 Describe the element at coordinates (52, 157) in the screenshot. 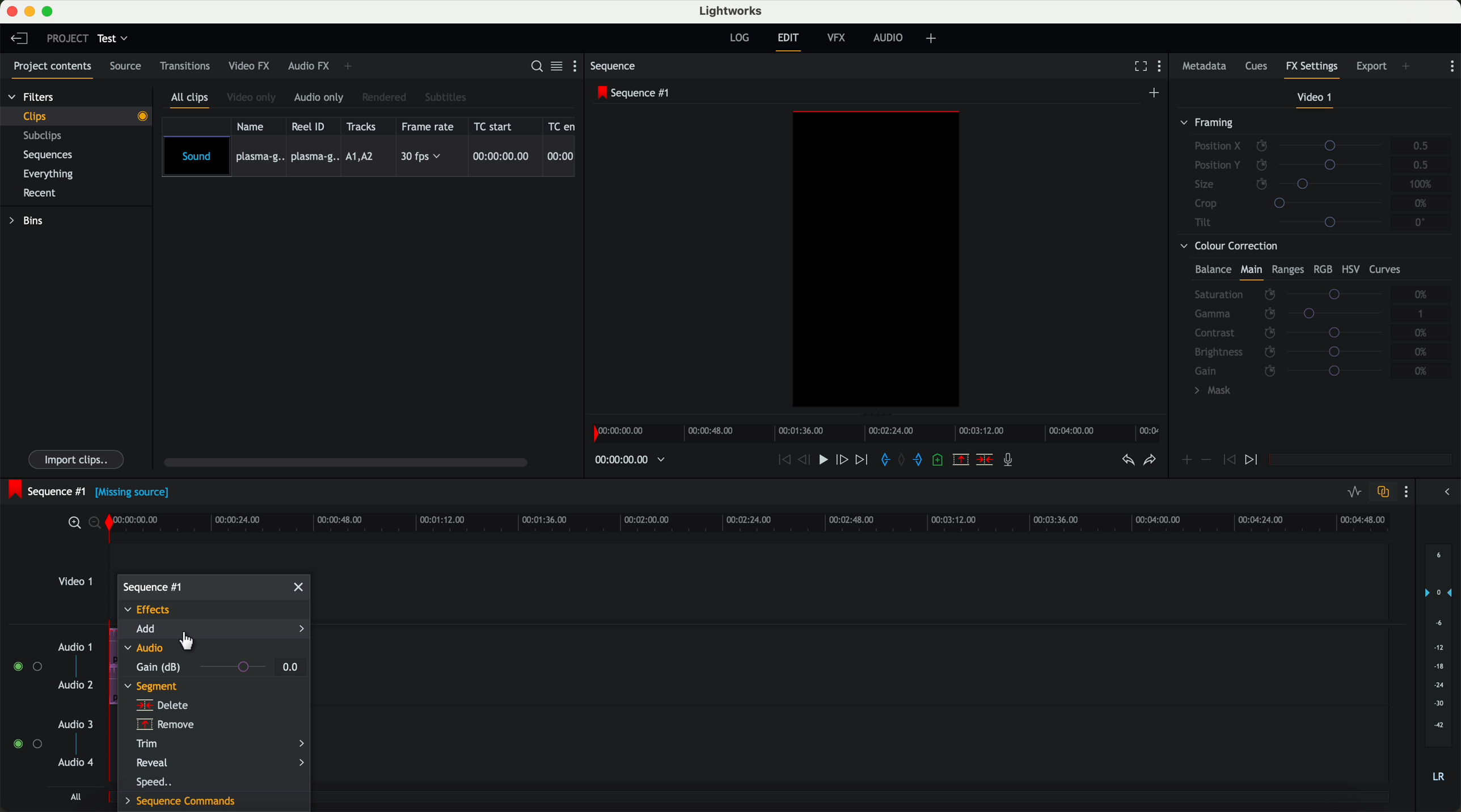

I see `sequences` at that location.